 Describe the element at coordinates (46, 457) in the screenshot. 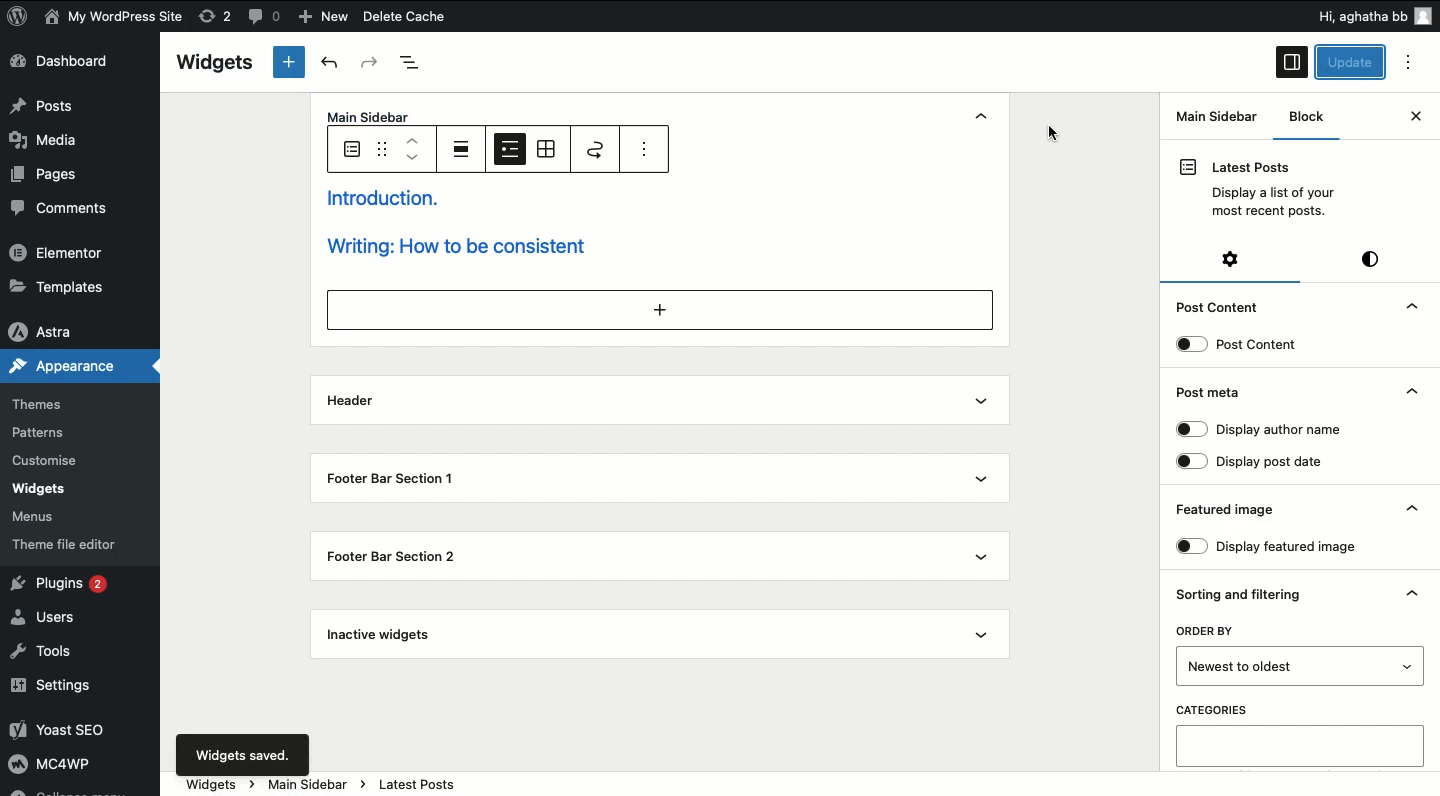

I see `Customise` at that location.